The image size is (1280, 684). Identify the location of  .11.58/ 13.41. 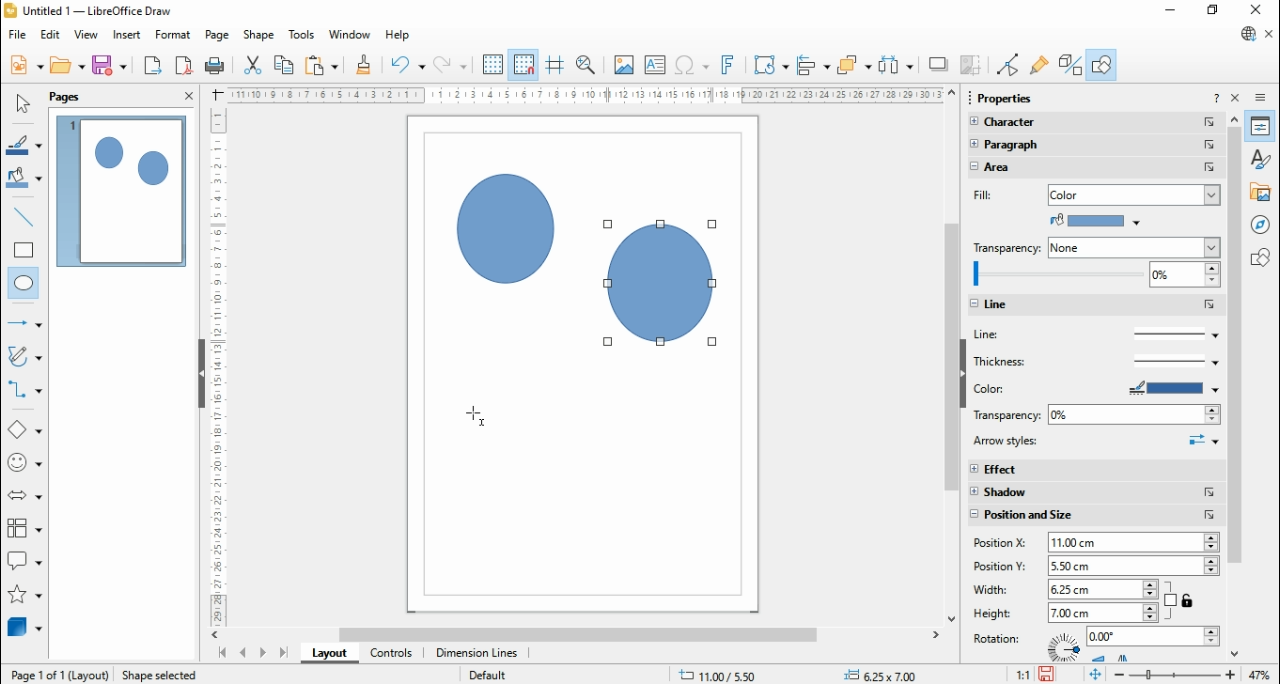
(719, 674).